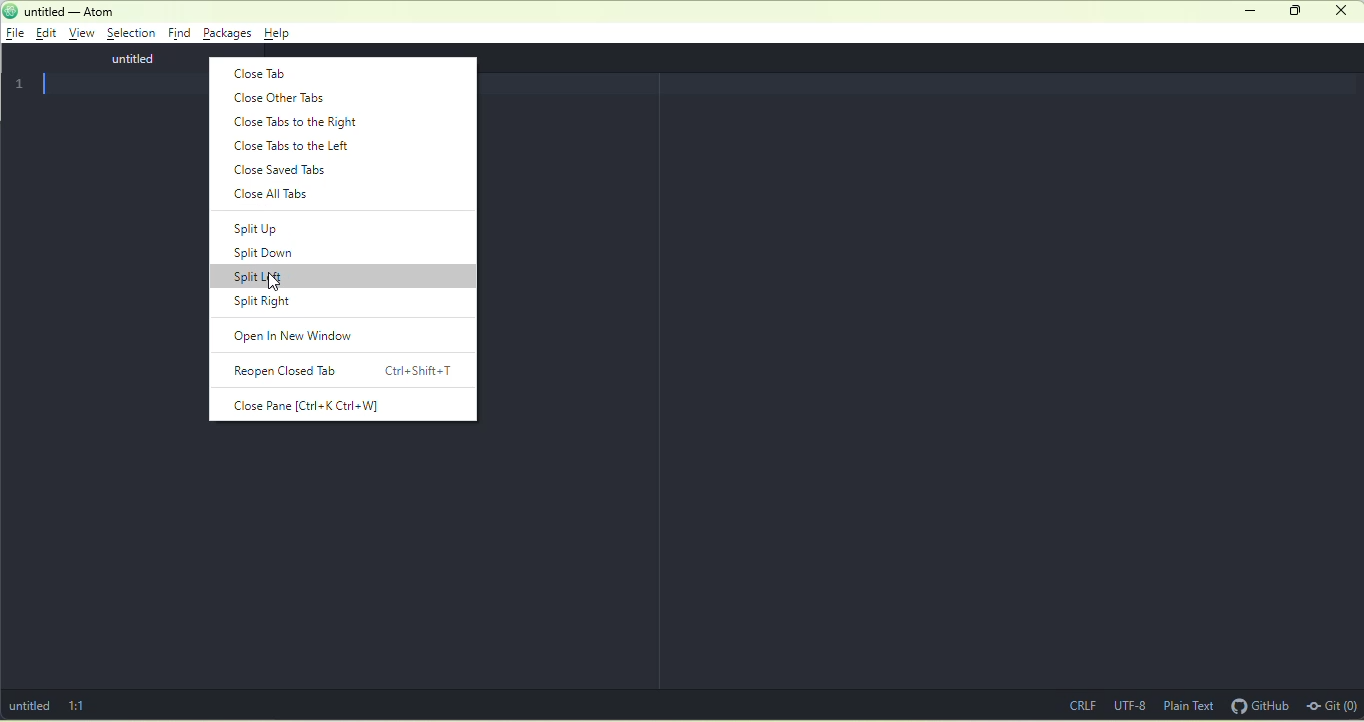  Describe the element at coordinates (50, 35) in the screenshot. I see `edit` at that location.